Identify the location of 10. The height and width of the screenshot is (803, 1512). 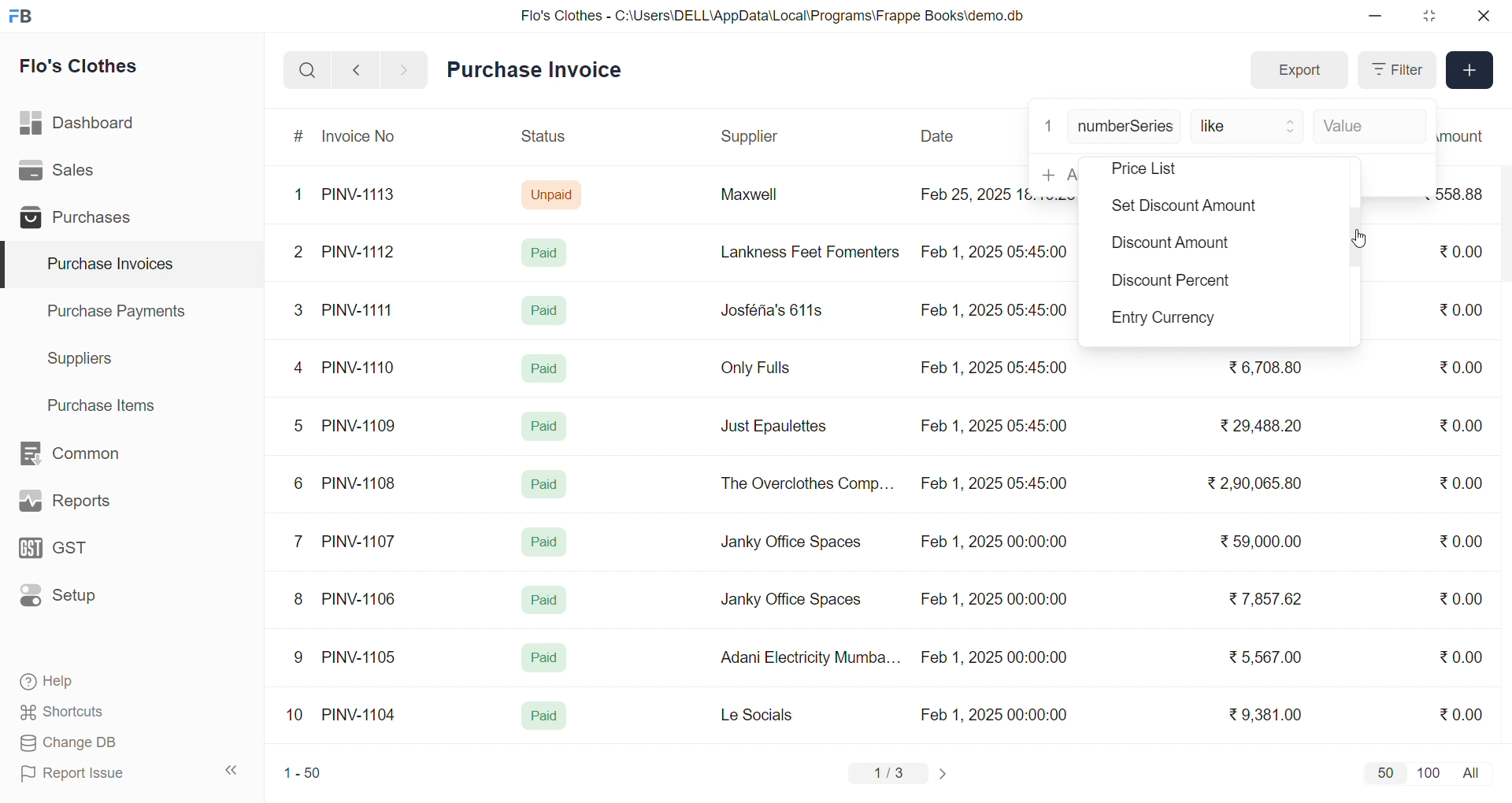
(298, 716).